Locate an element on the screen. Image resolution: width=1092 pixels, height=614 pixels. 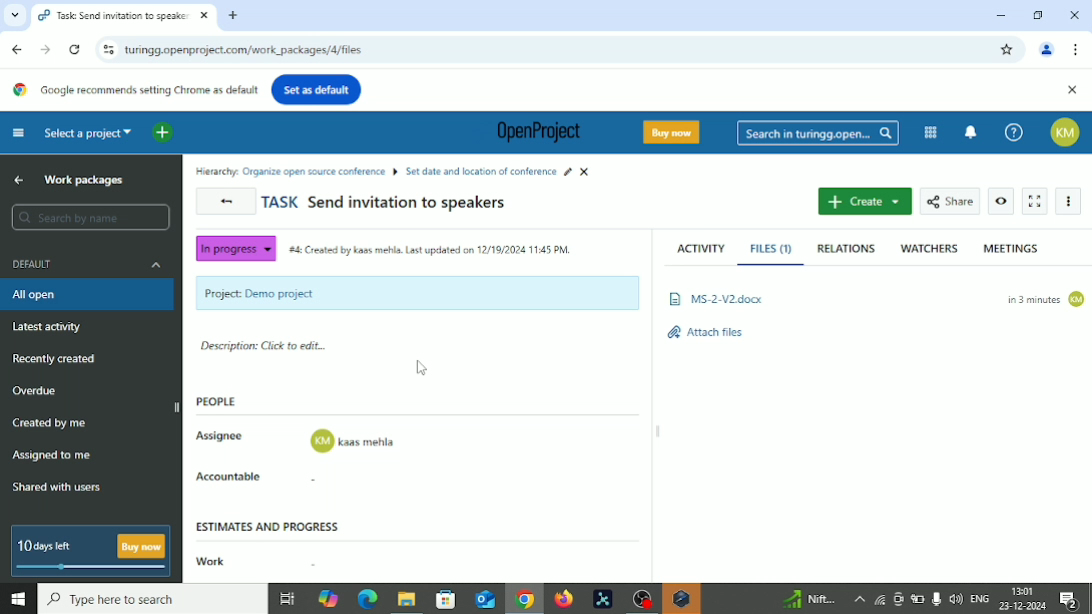
Search tabs is located at coordinates (12, 15).